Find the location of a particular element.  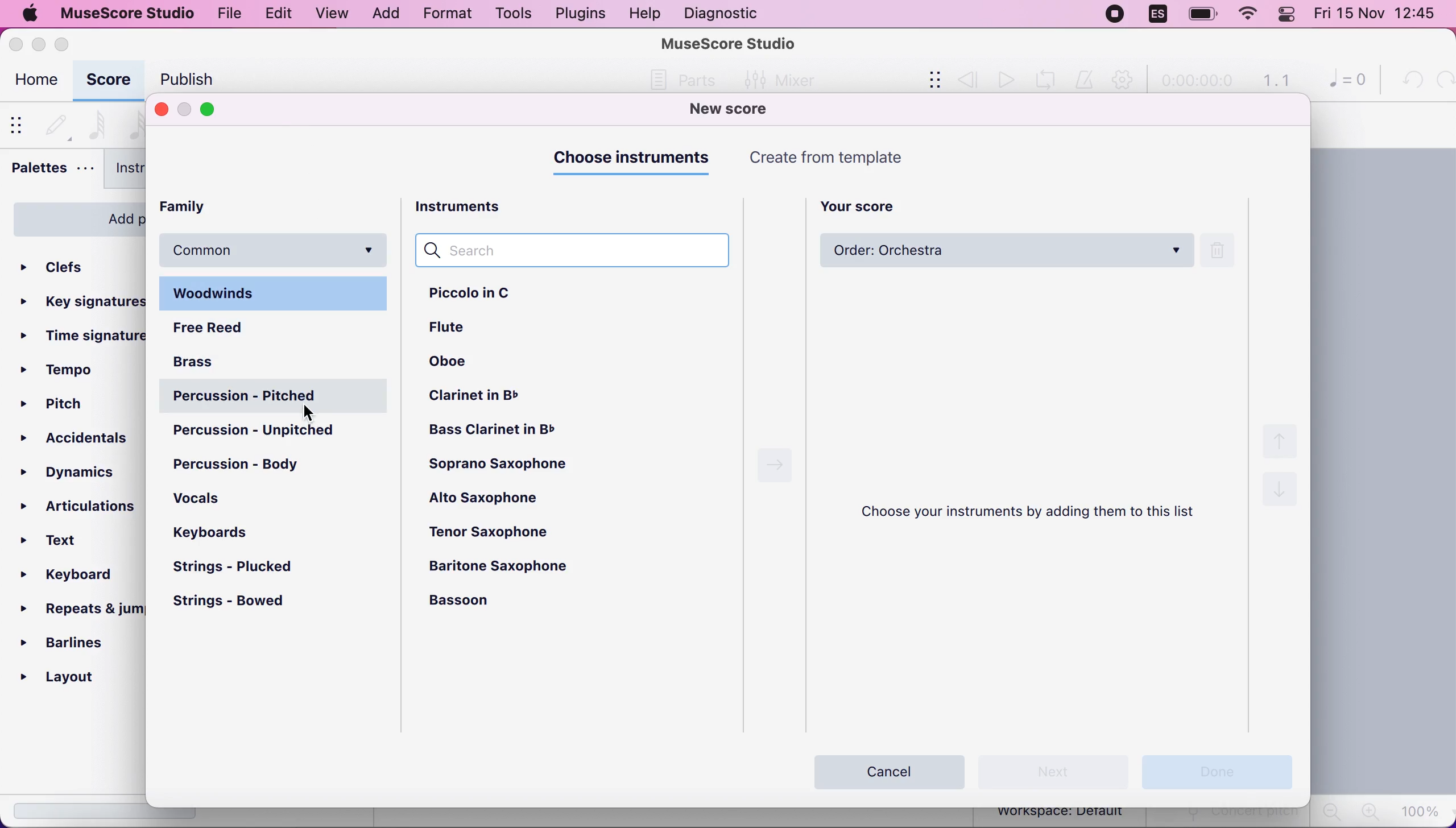

zoom out is located at coordinates (1330, 812).